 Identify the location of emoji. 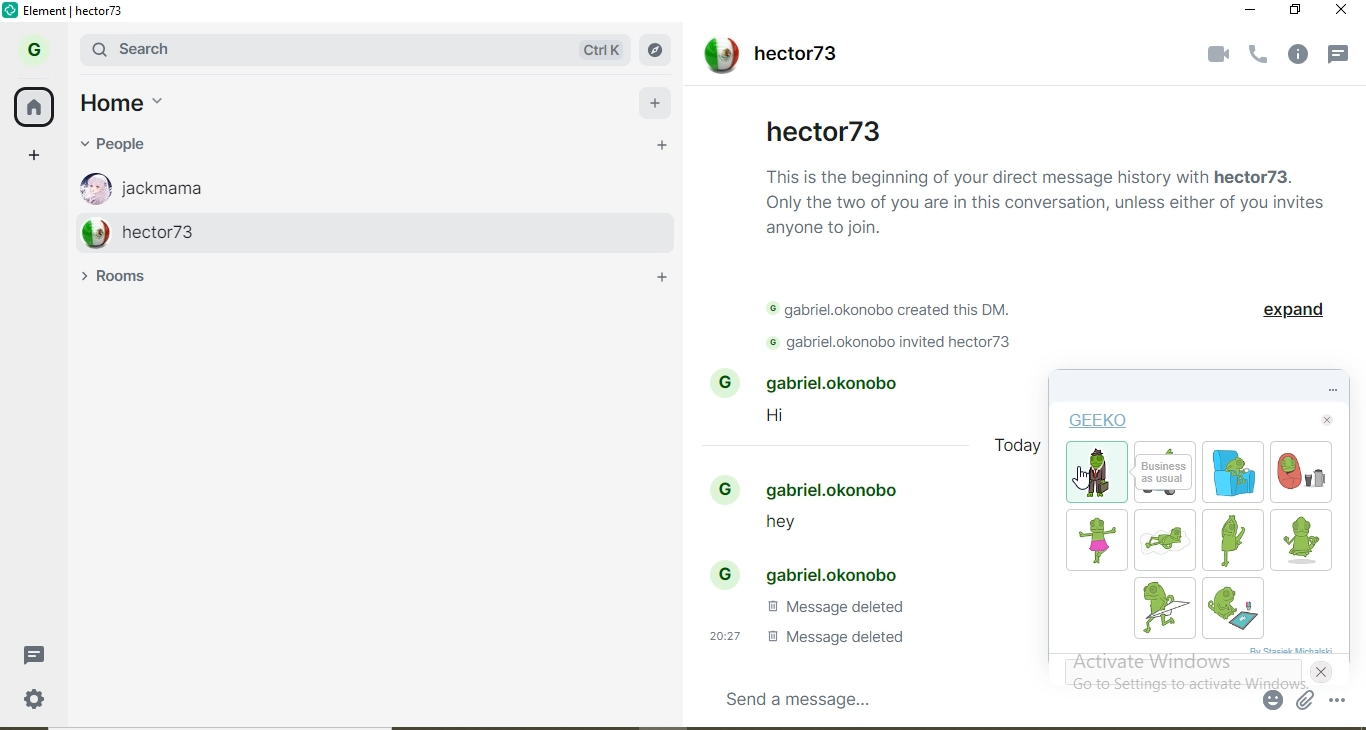
(1274, 701).